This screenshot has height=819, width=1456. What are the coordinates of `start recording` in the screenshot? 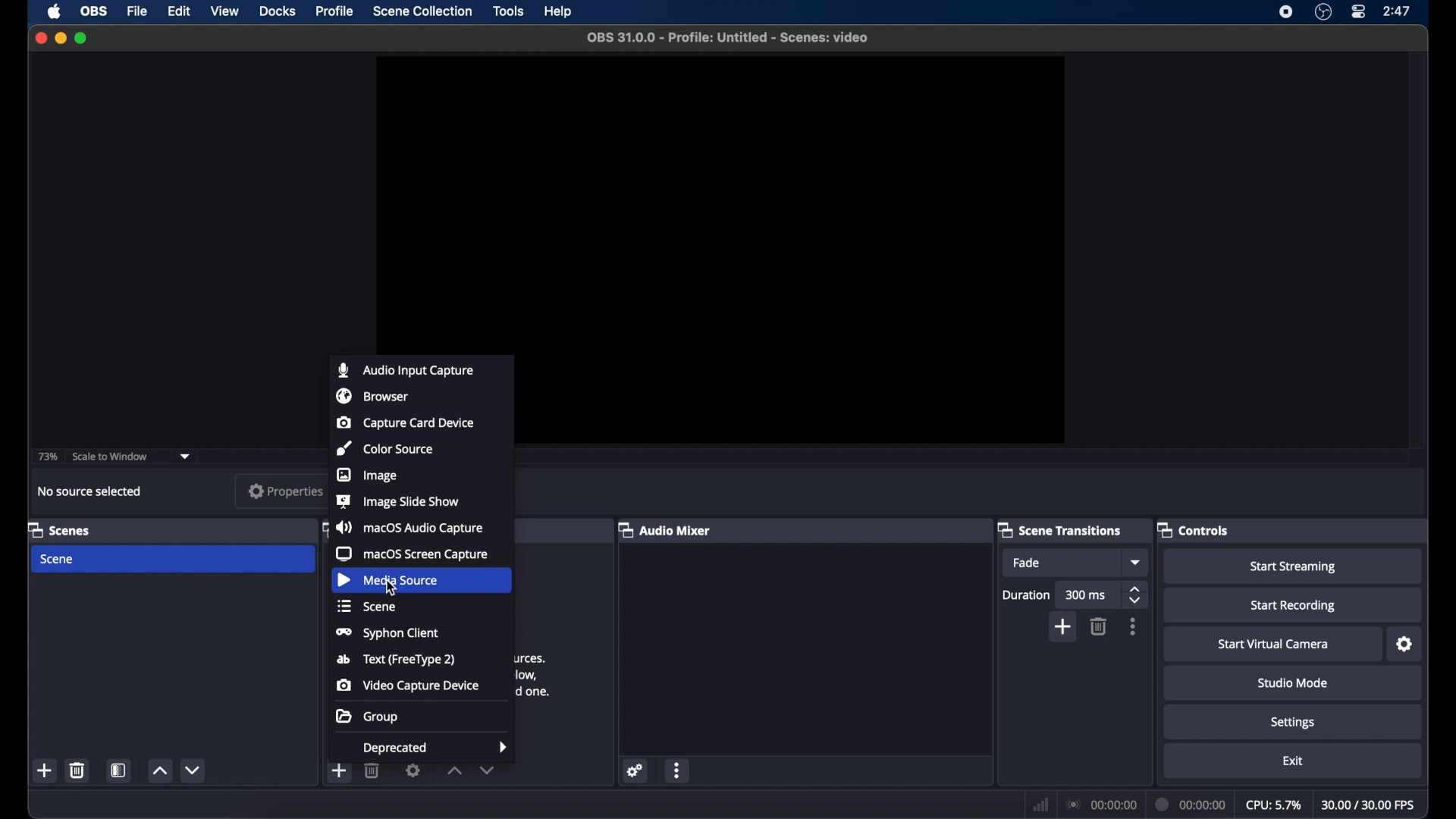 It's located at (1293, 606).